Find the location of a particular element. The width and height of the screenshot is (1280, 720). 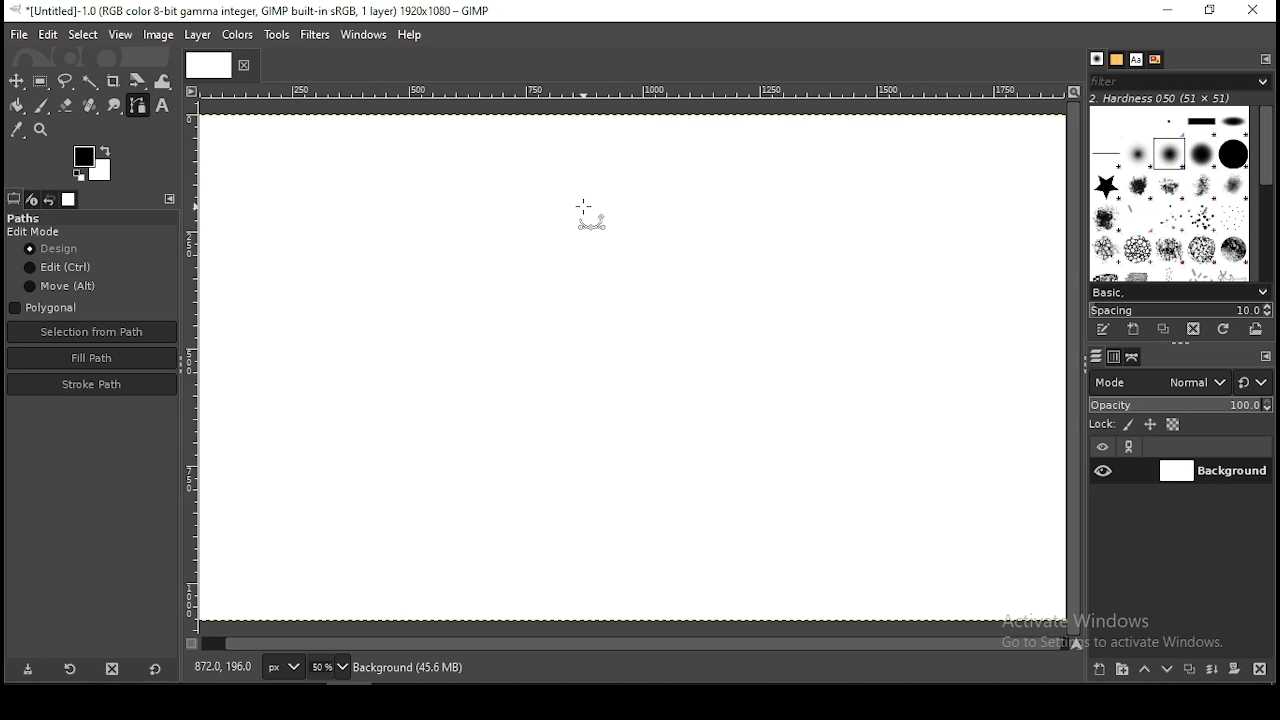

edit is located at coordinates (47, 35).